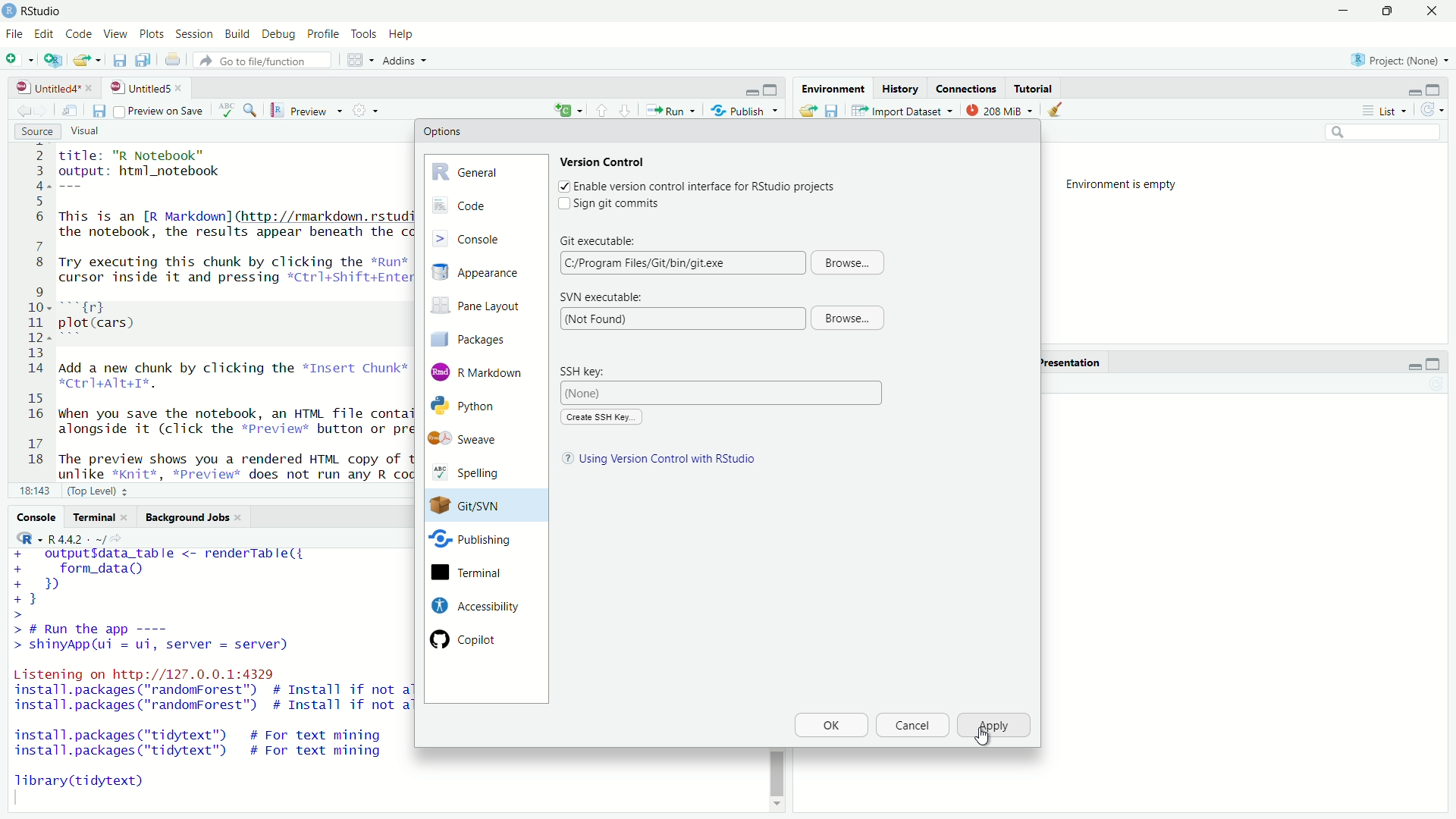  I want to click on Preview on save, so click(158, 111).